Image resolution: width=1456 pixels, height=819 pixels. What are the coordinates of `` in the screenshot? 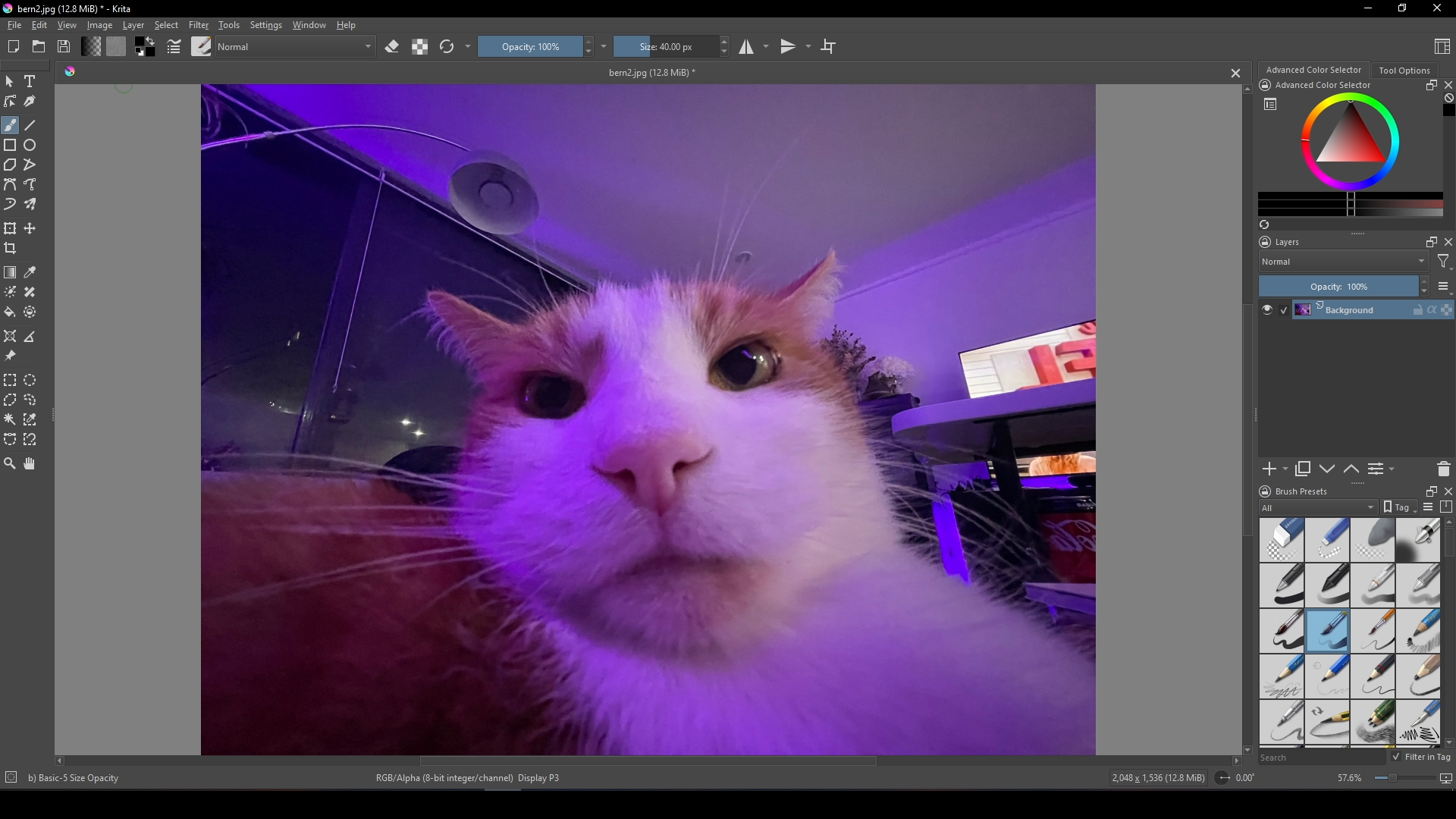 It's located at (175, 46).